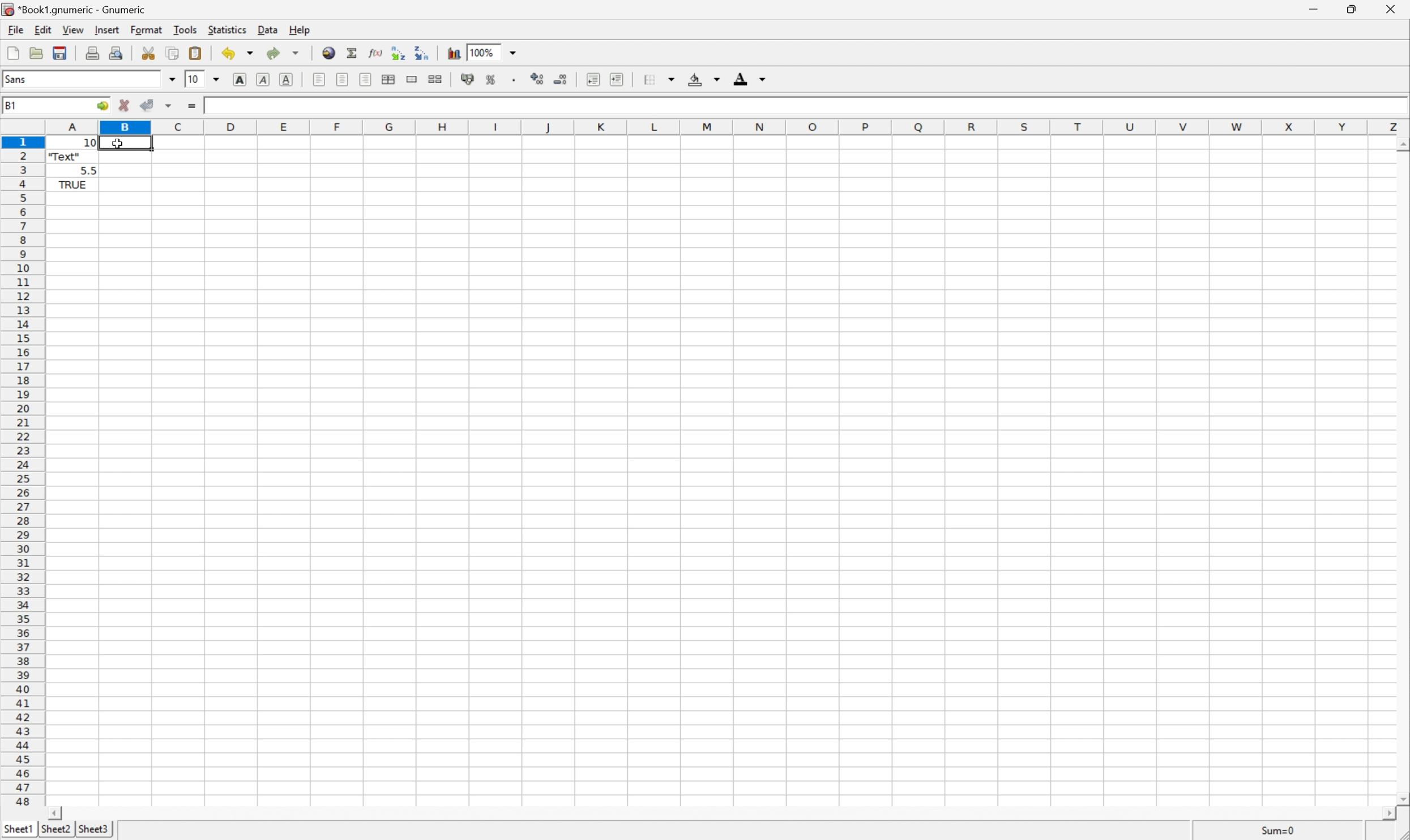 Image resolution: width=1410 pixels, height=840 pixels. I want to click on Decrease indent, and align the contents to the left, so click(591, 79).